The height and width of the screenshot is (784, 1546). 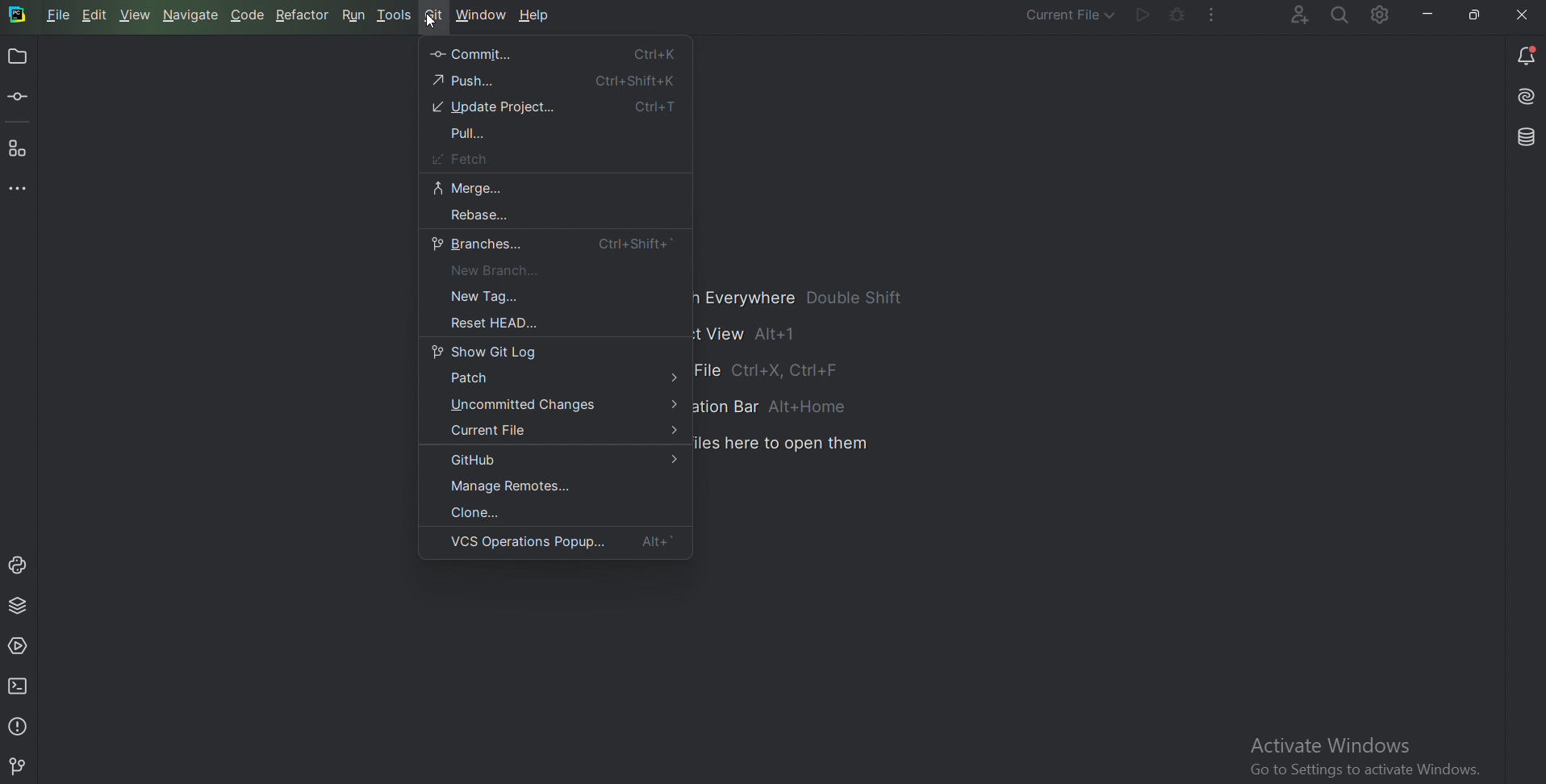 I want to click on Project view, so click(x=757, y=334).